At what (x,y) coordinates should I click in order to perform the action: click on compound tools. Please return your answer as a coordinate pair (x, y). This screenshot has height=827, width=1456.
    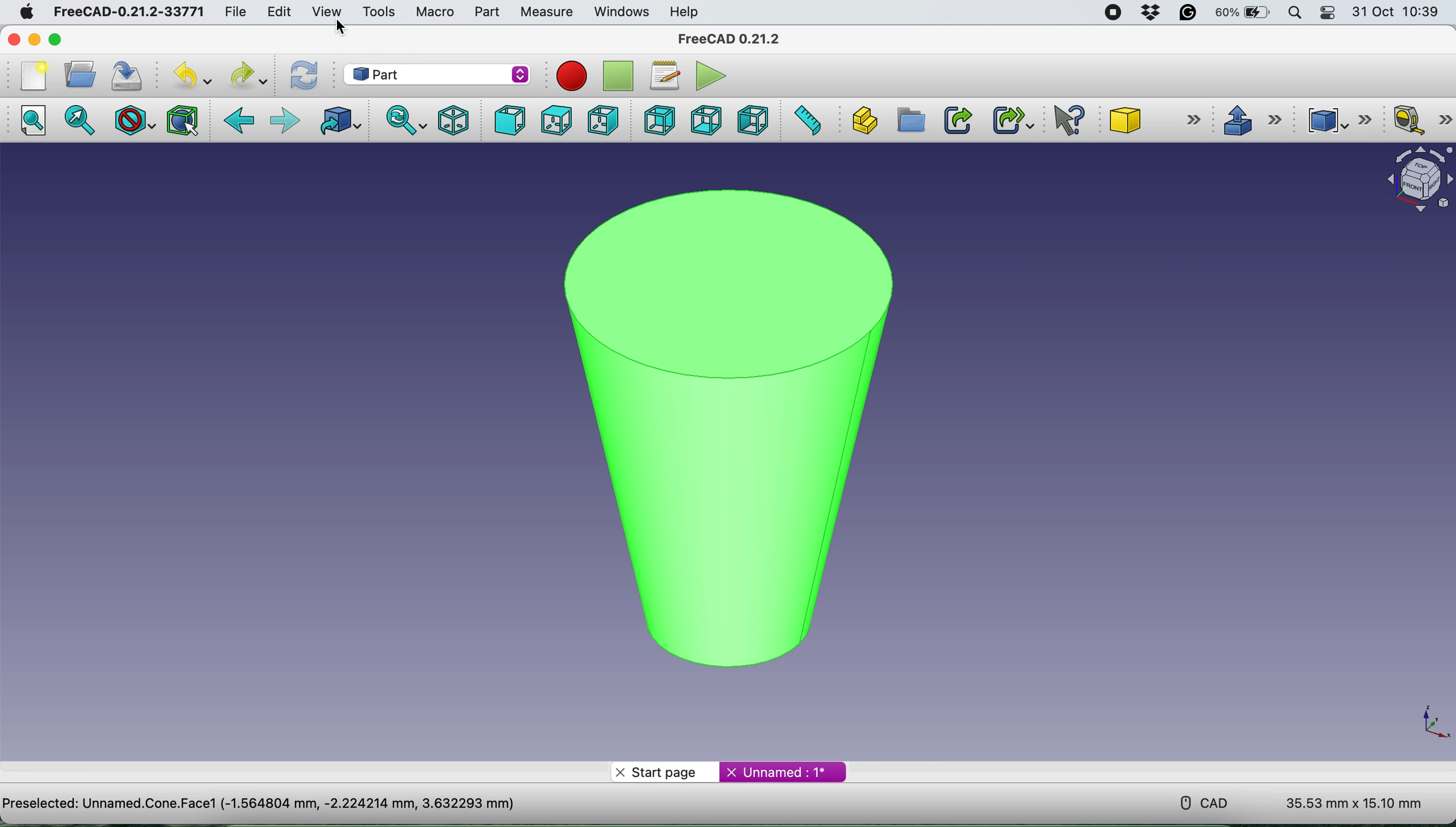
    Looking at the image, I should click on (1336, 118).